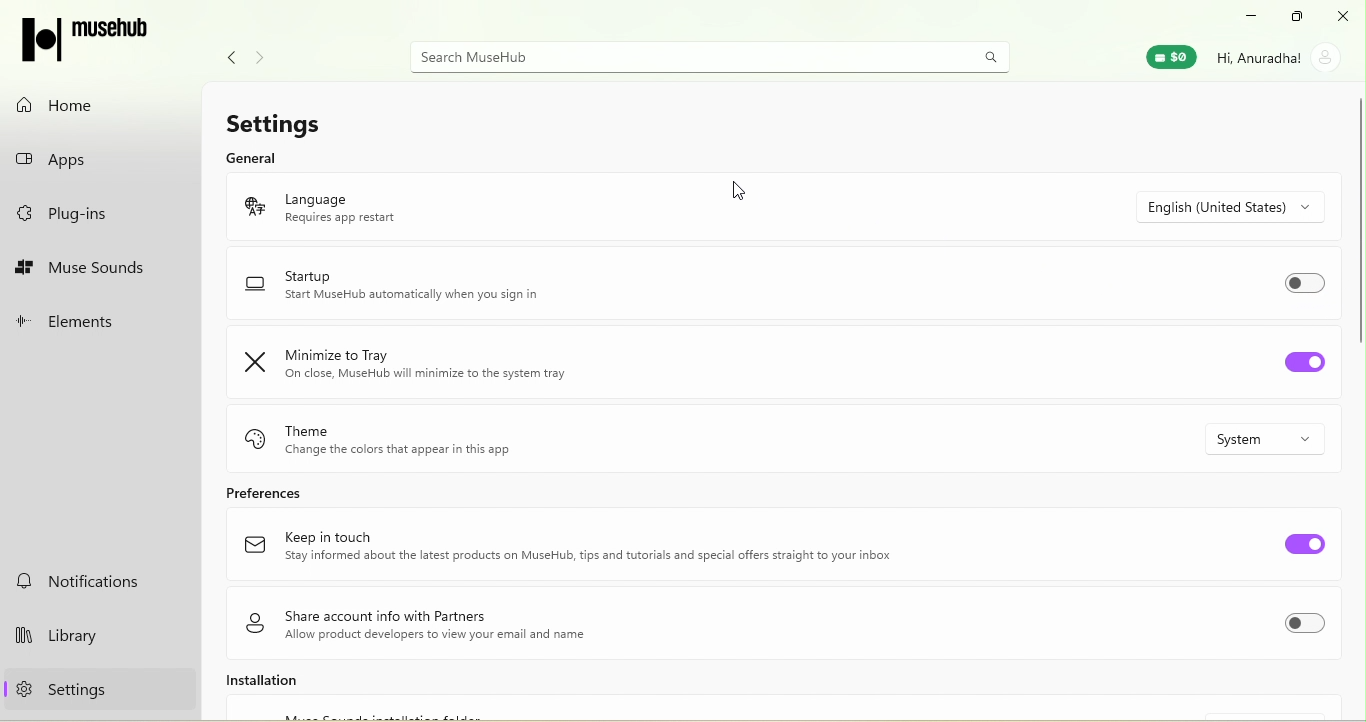 This screenshot has width=1366, height=722. I want to click on maximize, so click(1298, 15).